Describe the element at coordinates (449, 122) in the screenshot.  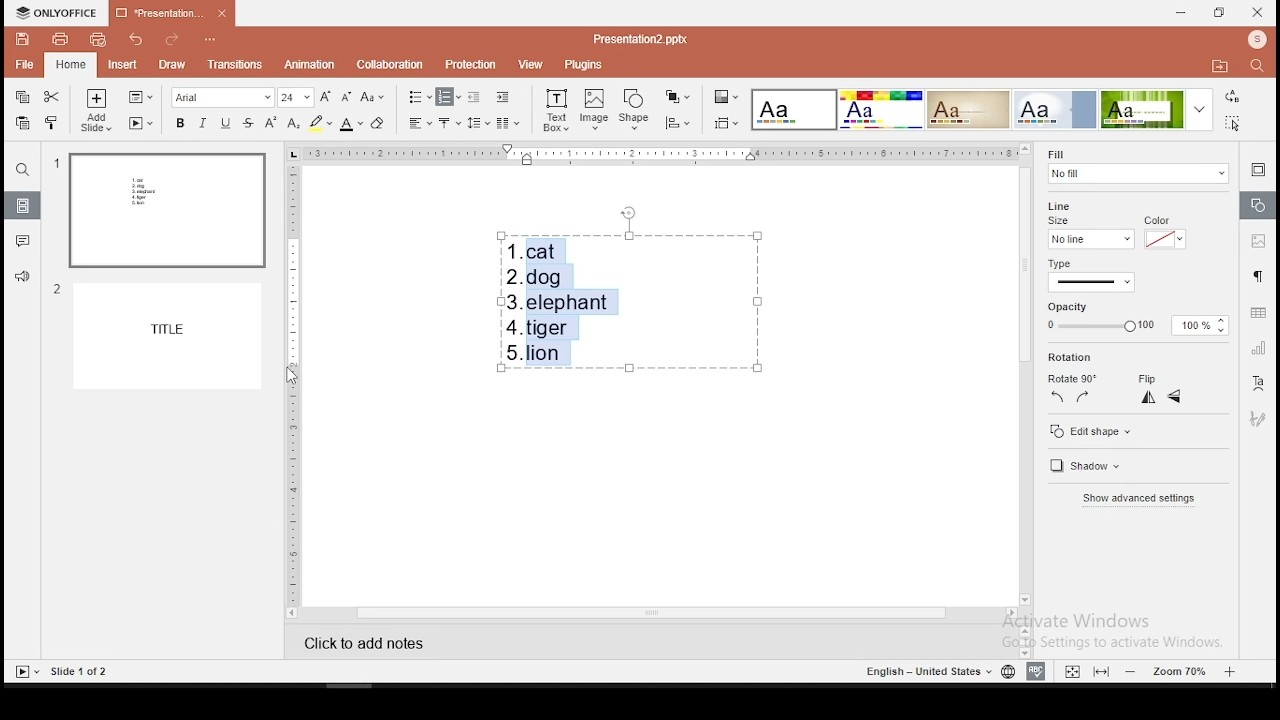
I see `vertical alignment` at that location.